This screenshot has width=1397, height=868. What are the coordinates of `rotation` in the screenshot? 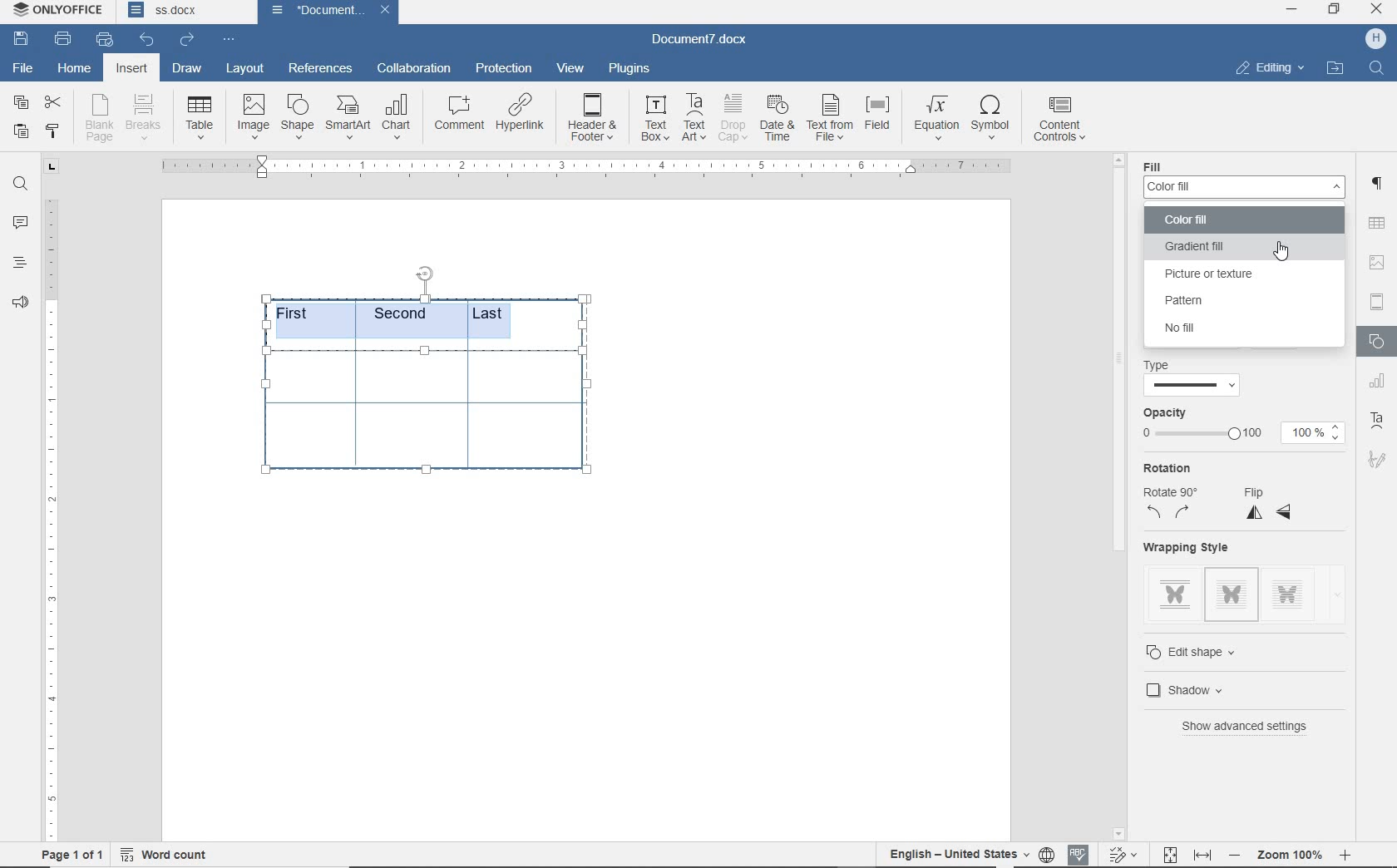 It's located at (1173, 469).